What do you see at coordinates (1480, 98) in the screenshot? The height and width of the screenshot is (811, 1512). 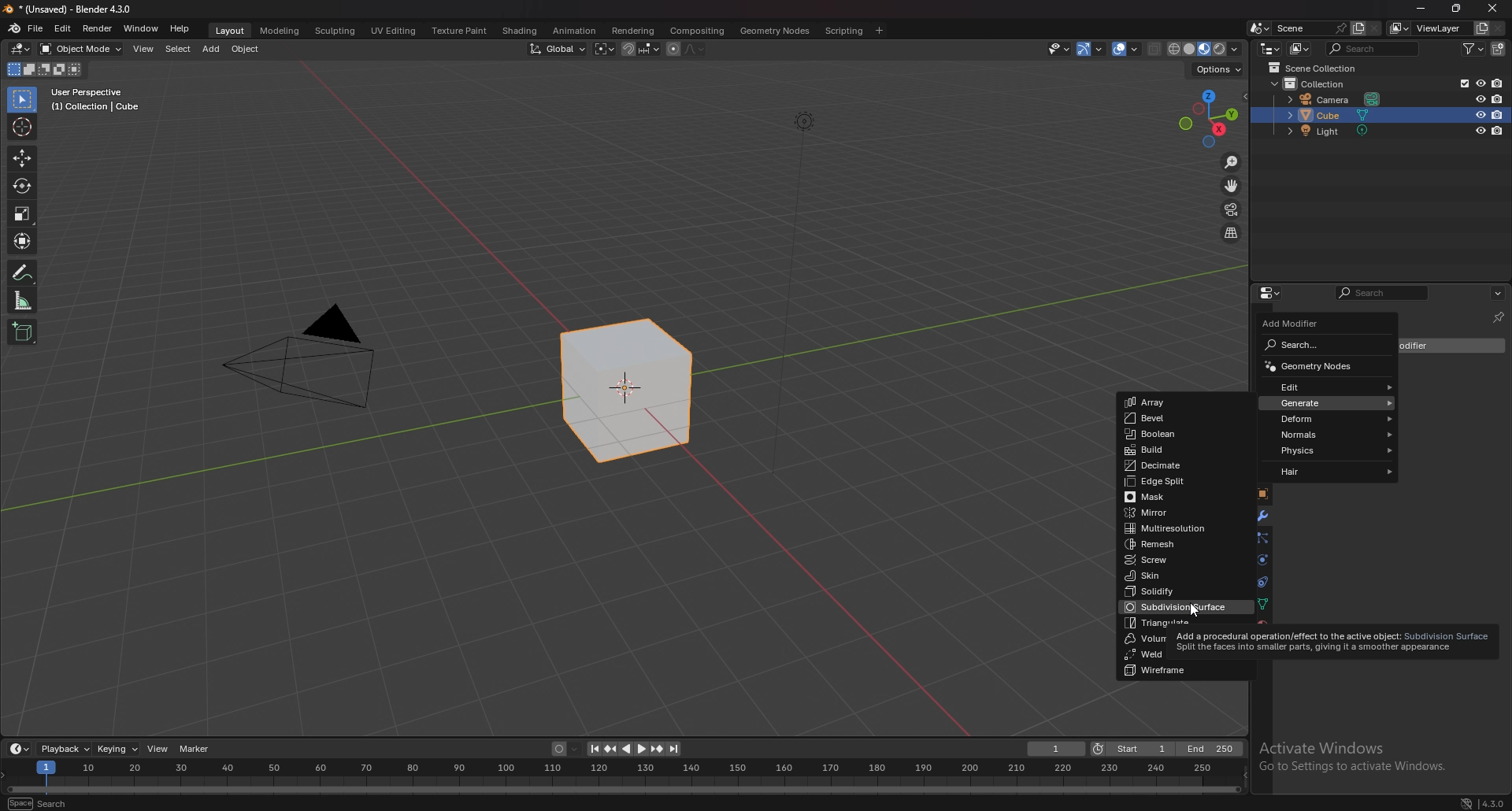 I see `hide in viewport` at bounding box center [1480, 98].